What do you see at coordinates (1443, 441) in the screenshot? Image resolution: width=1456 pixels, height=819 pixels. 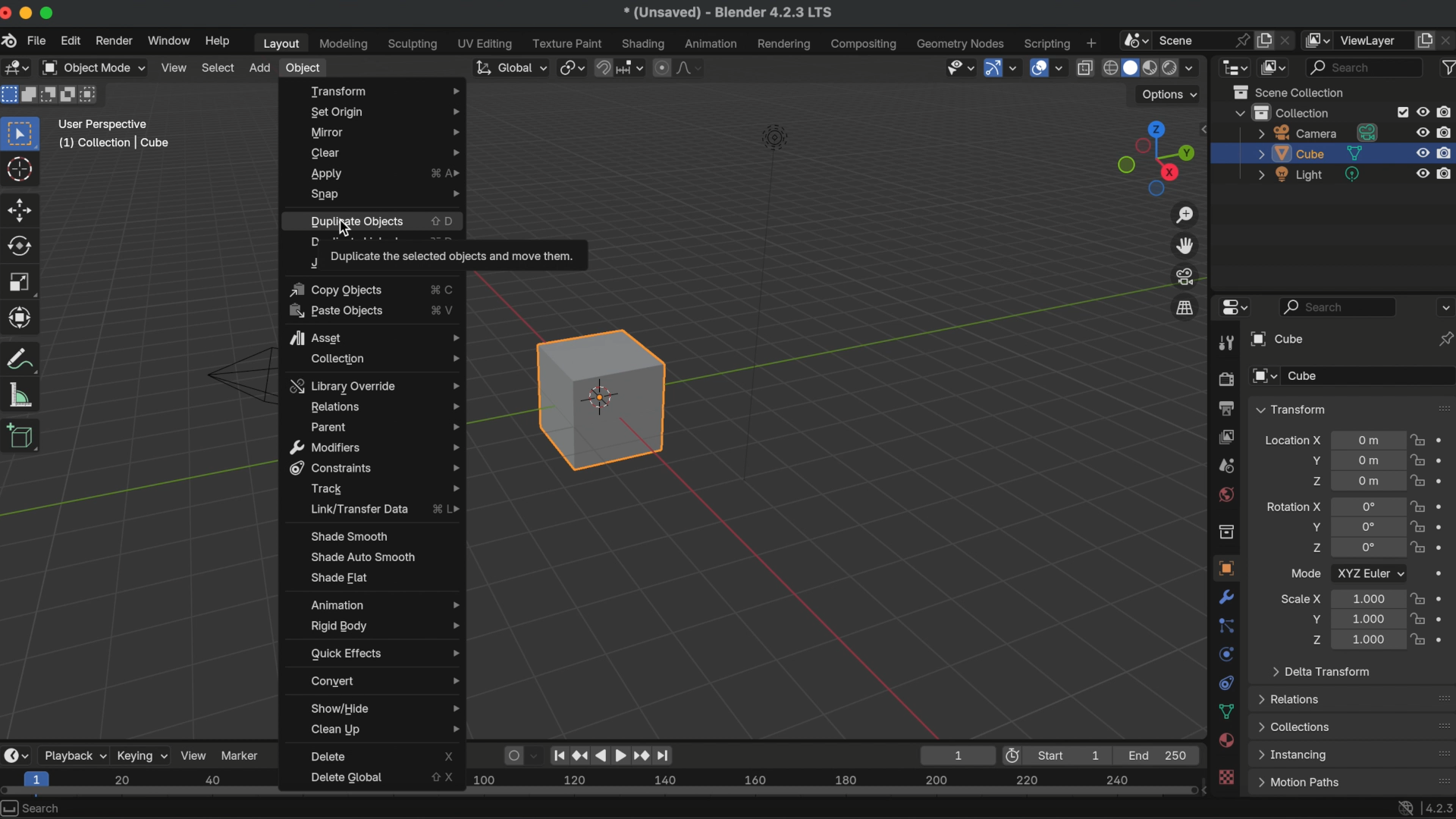 I see `animate property` at bounding box center [1443, 441].